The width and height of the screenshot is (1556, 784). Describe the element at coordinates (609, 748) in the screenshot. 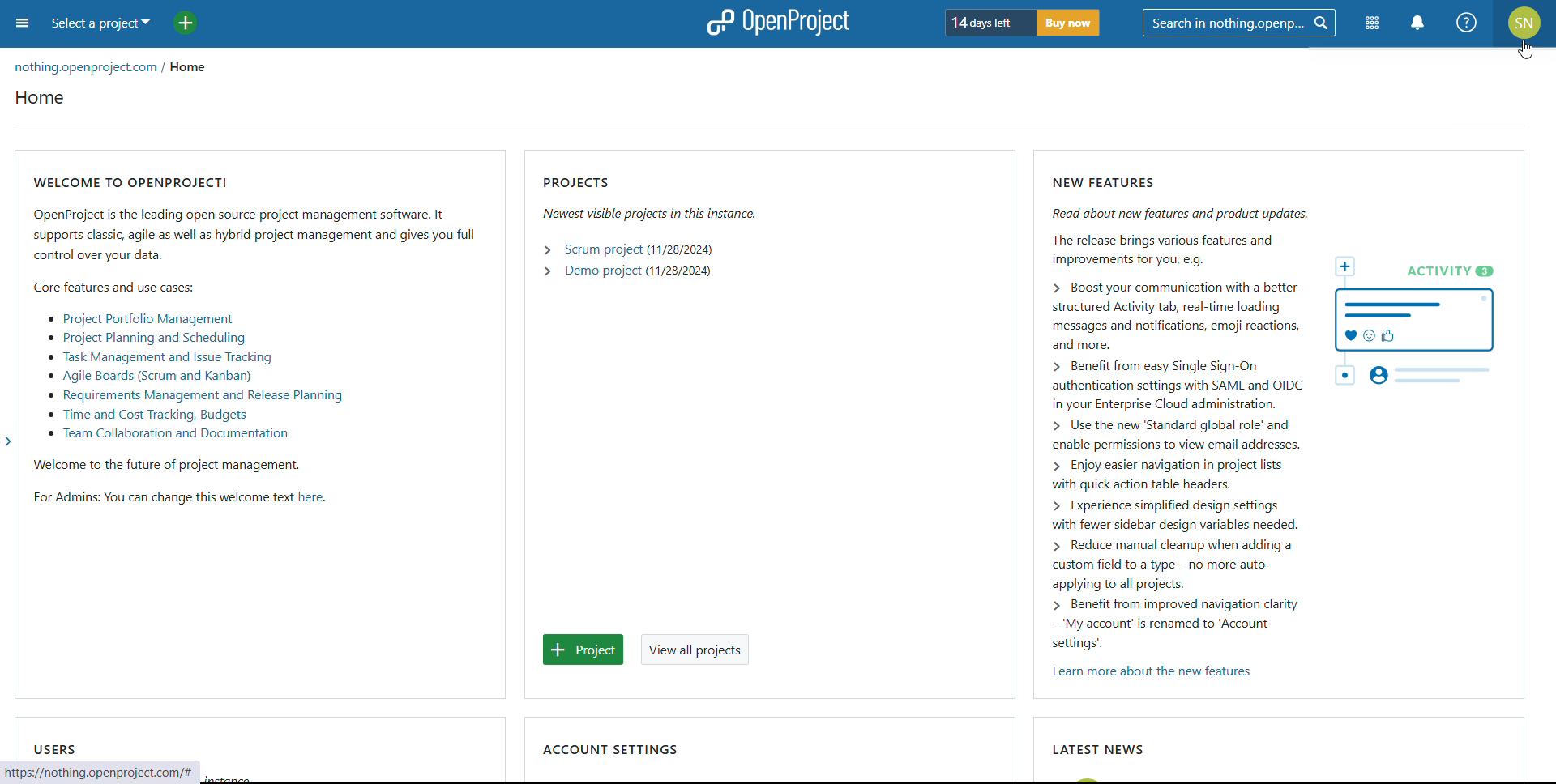

I see `account settings` at that location.